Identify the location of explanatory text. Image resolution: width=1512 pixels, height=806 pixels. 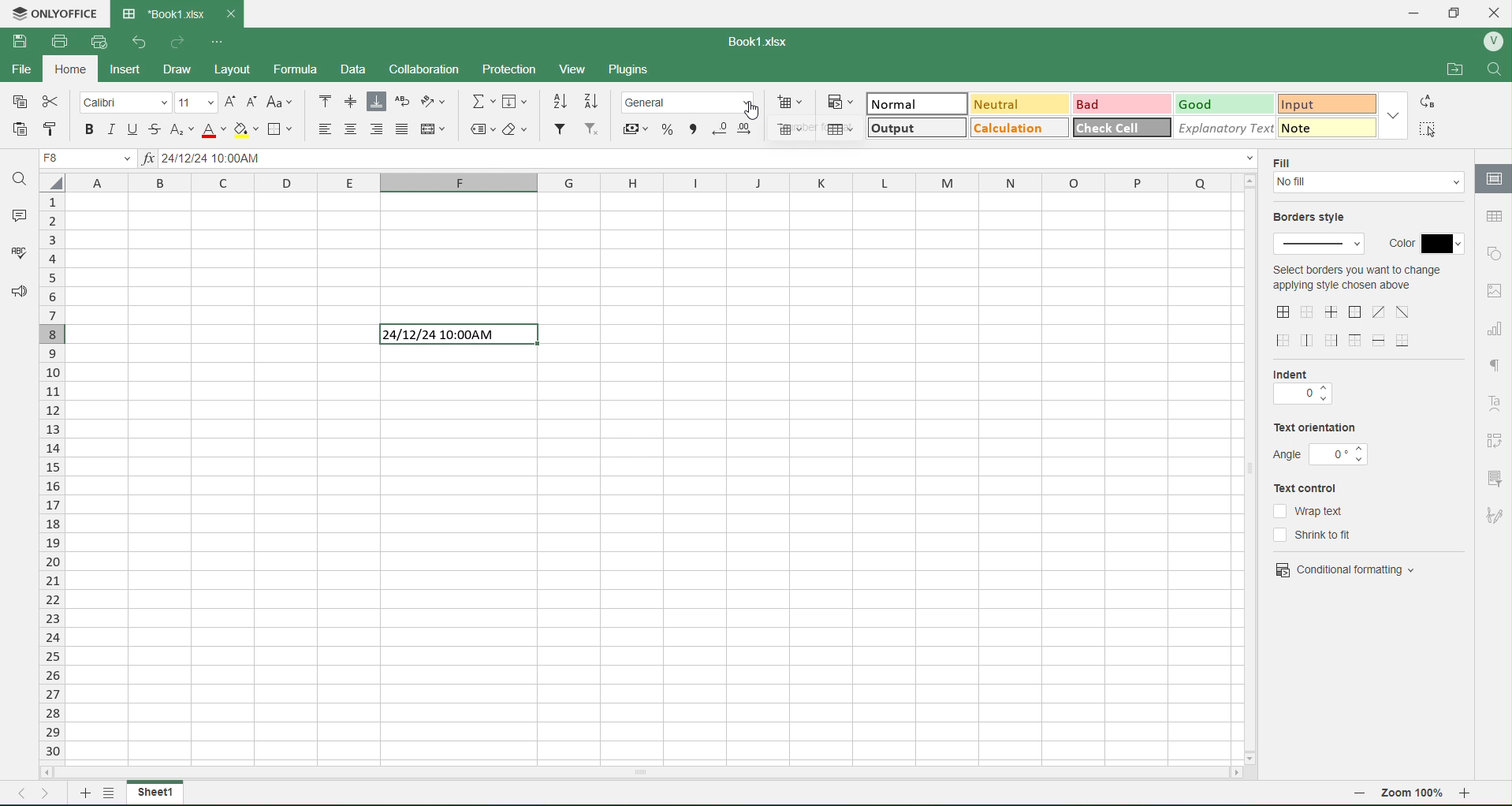
(1218, 127).